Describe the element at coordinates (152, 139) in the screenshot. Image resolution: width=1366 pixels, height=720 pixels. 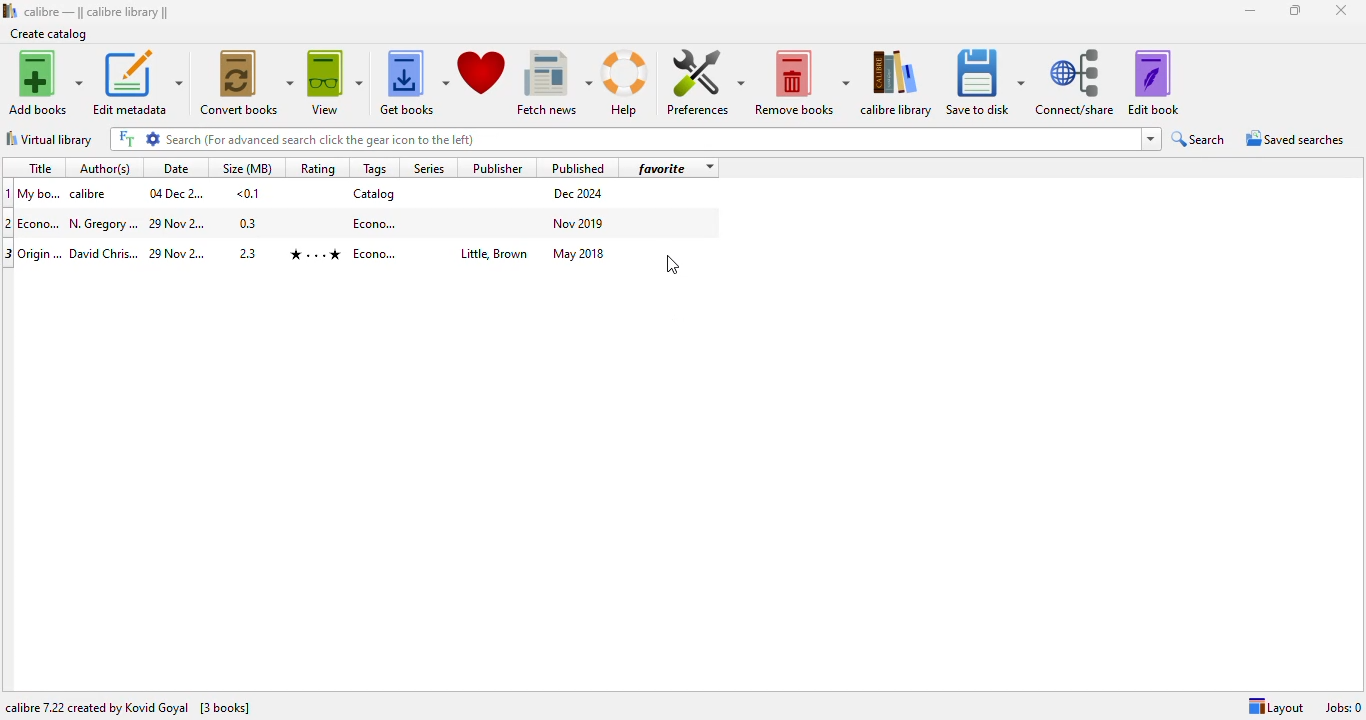
I see `settings` at that location.